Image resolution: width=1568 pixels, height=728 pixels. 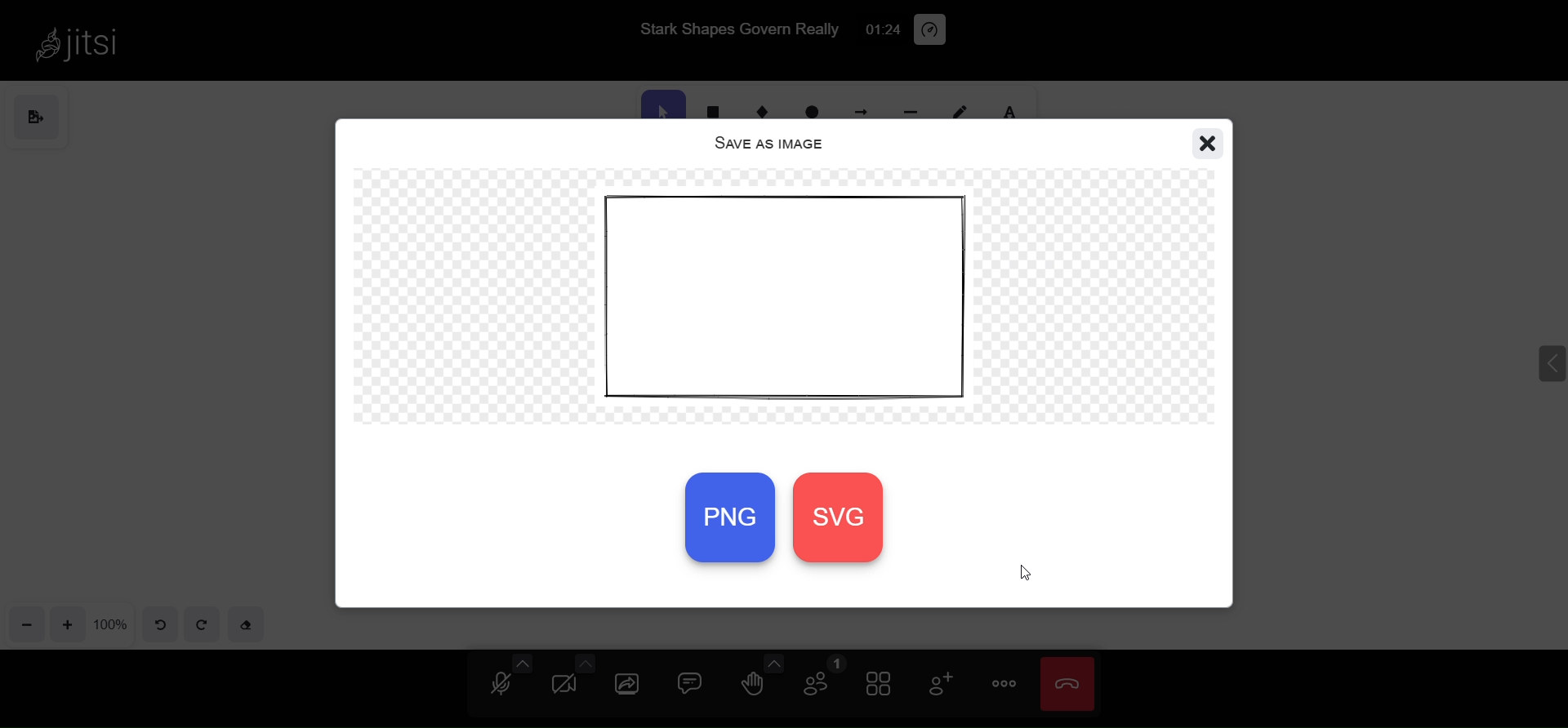 What do you see at coordinates (733, 28) in the screenshot?
I see `Stark Shapes Govern Really` at bounding box center [733, 28].